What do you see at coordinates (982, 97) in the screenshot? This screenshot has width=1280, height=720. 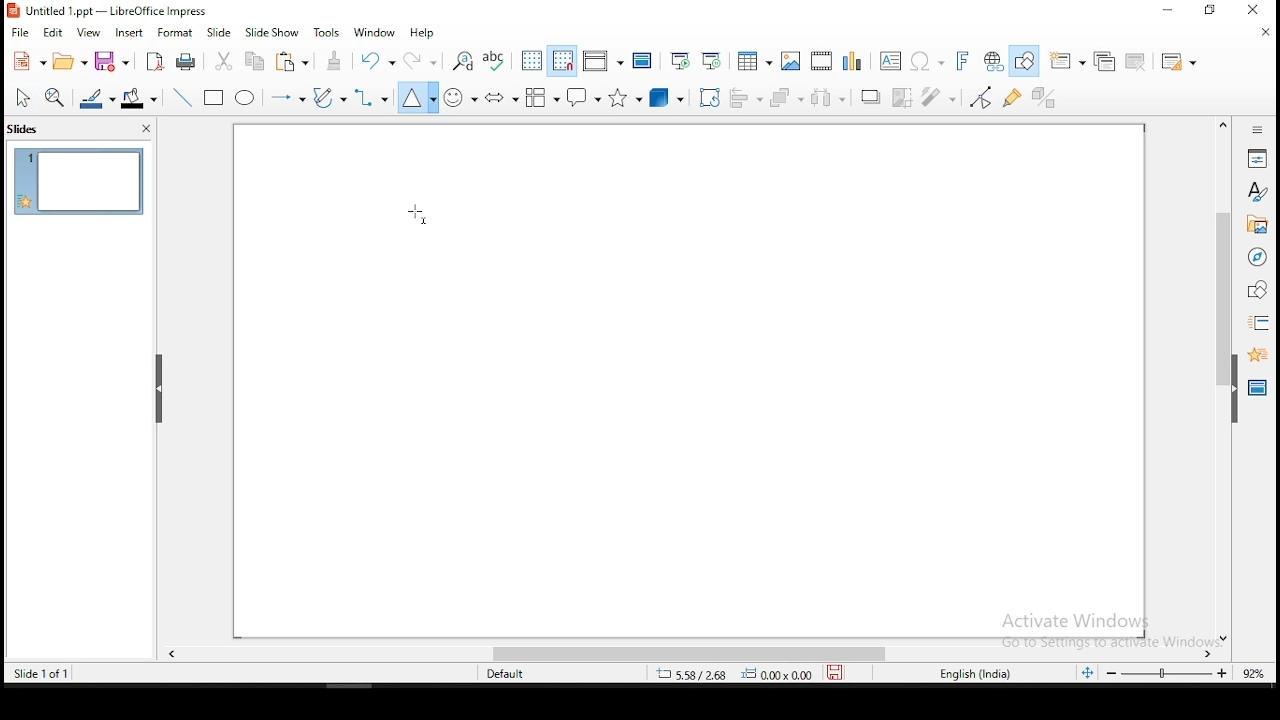 I see `toggle point edit mode` at bounding box center [982, 97].